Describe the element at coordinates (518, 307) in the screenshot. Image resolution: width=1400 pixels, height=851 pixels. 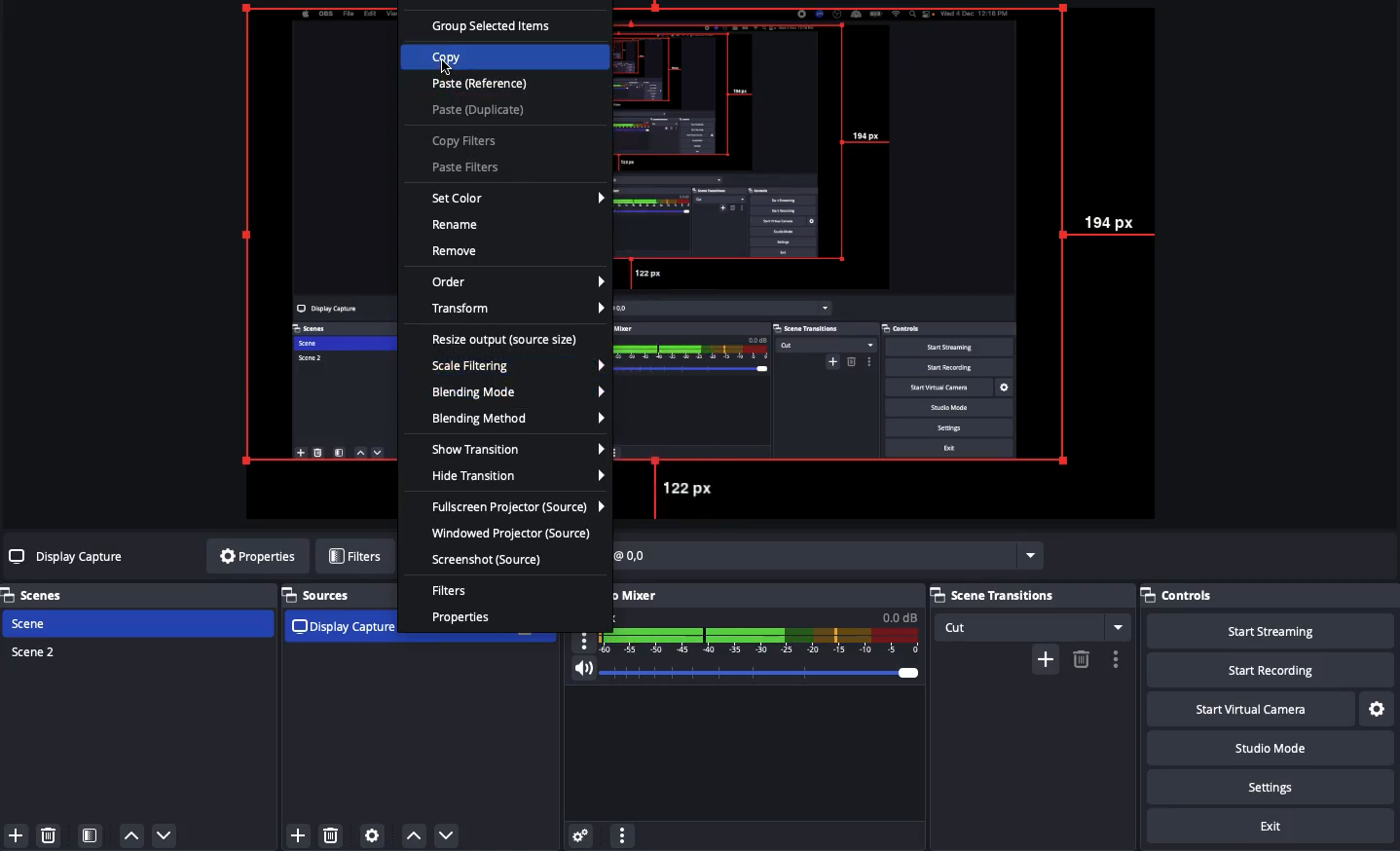
I see `Transform` at that location.